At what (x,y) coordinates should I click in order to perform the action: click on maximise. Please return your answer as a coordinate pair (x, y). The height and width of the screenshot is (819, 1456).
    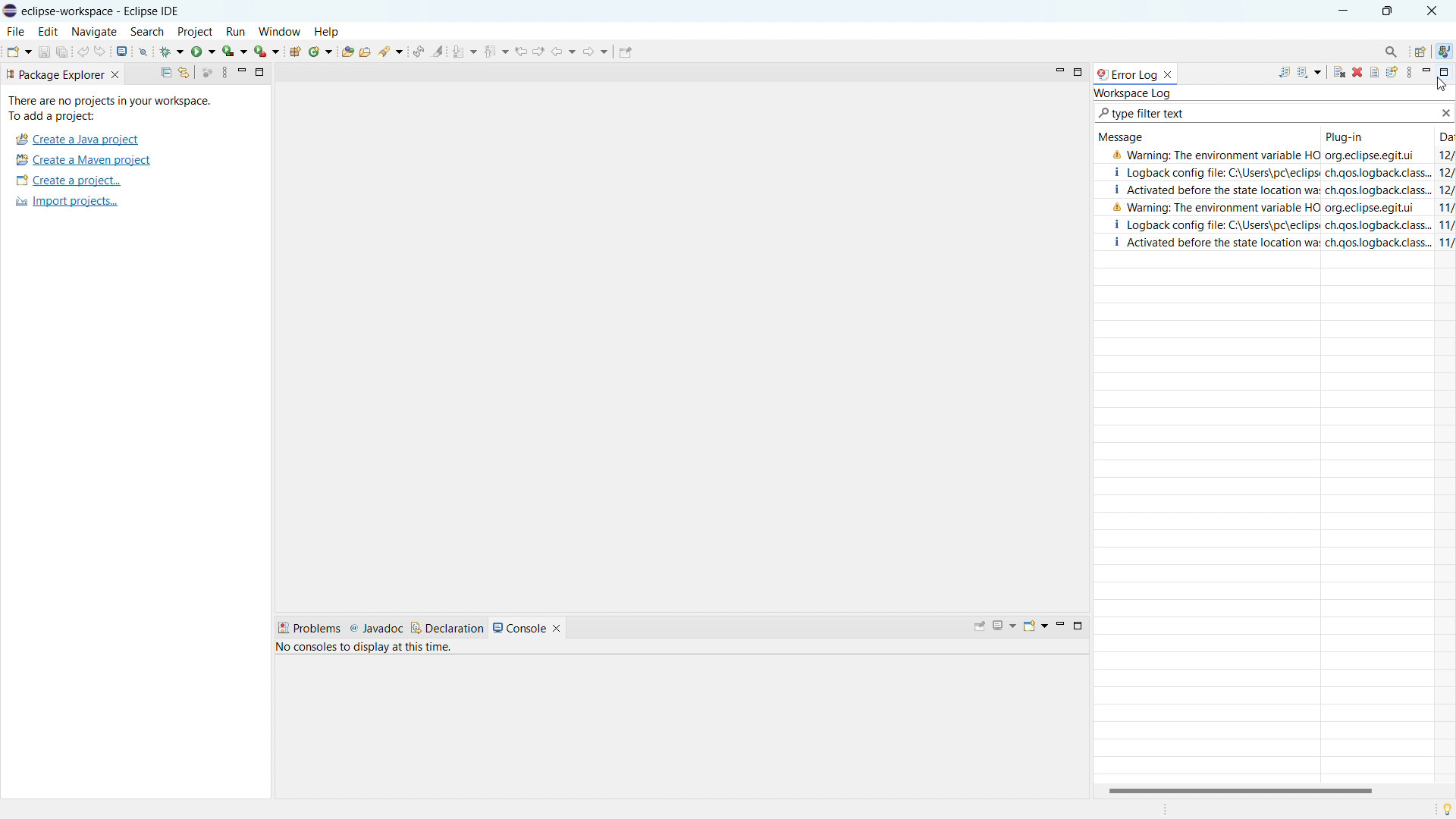
    Looking at the image, I should click on (1388, 11).